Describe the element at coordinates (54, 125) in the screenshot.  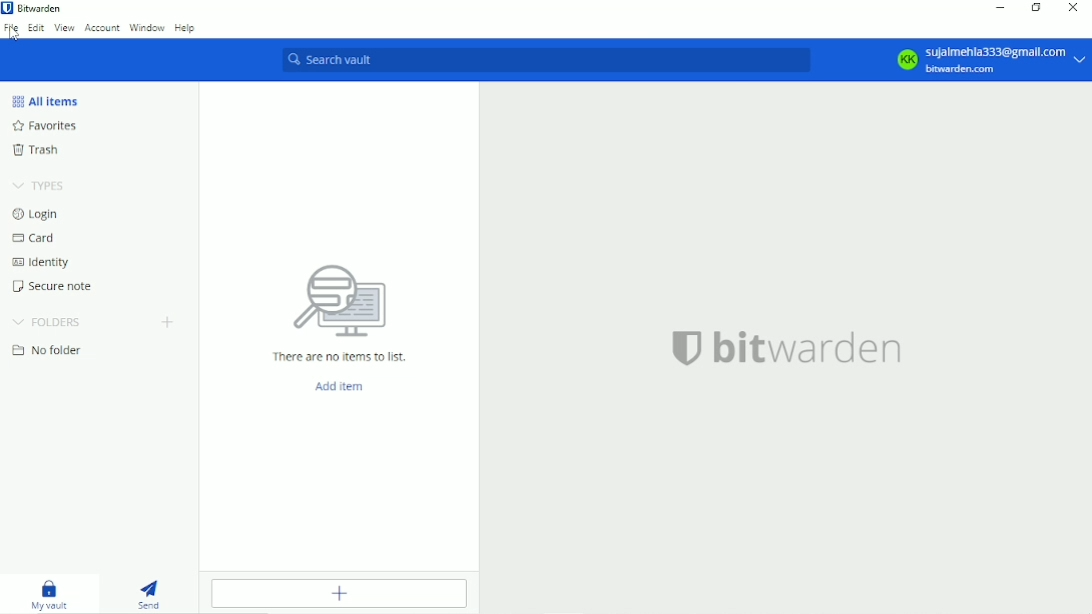
I see `Favorites` at that location.